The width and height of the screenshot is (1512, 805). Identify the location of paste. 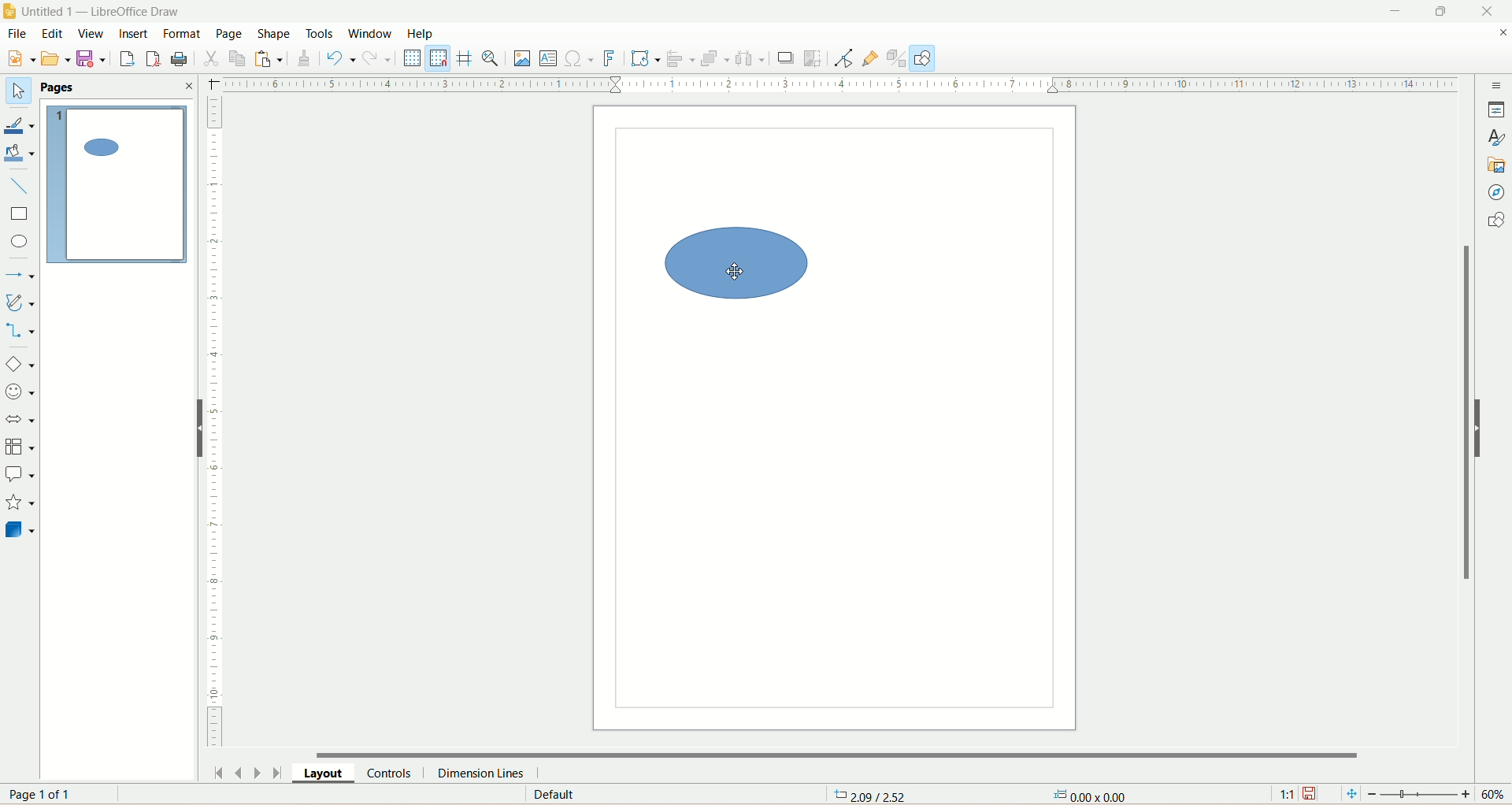
(268, 58).